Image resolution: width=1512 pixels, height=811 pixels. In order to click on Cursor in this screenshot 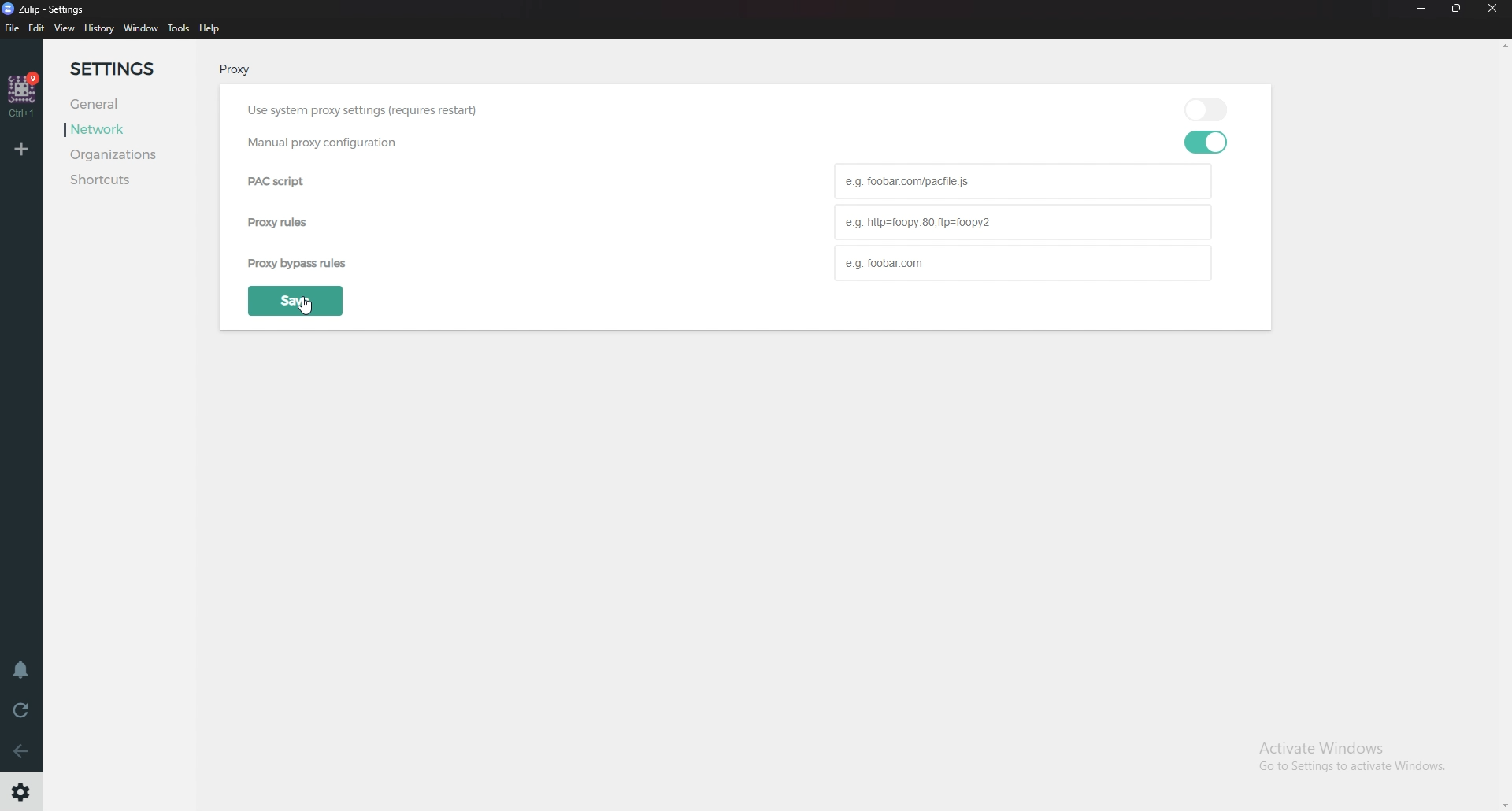, I will do `click(315, 310)`.